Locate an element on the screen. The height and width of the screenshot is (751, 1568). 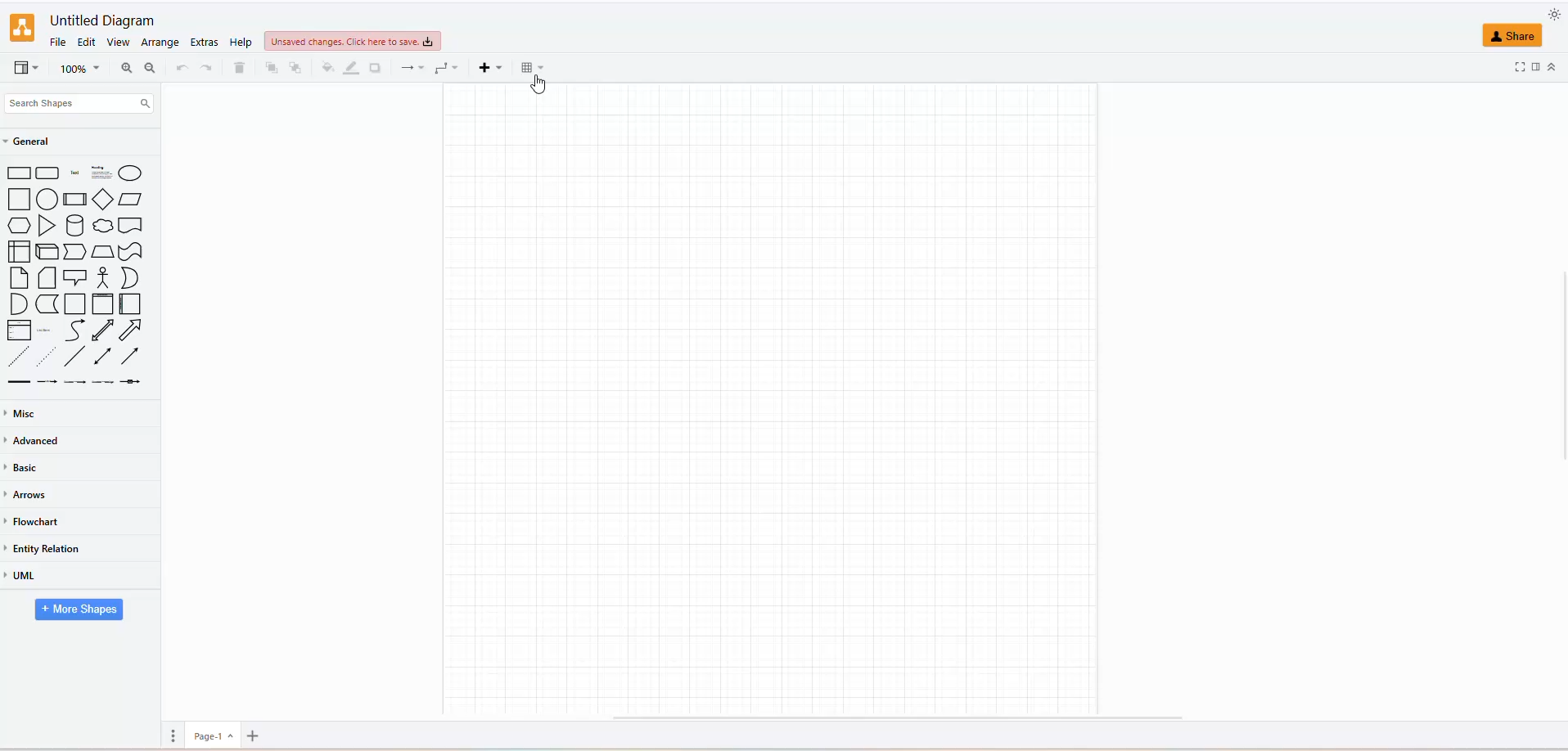
connection is located at coordinates (412, 68).